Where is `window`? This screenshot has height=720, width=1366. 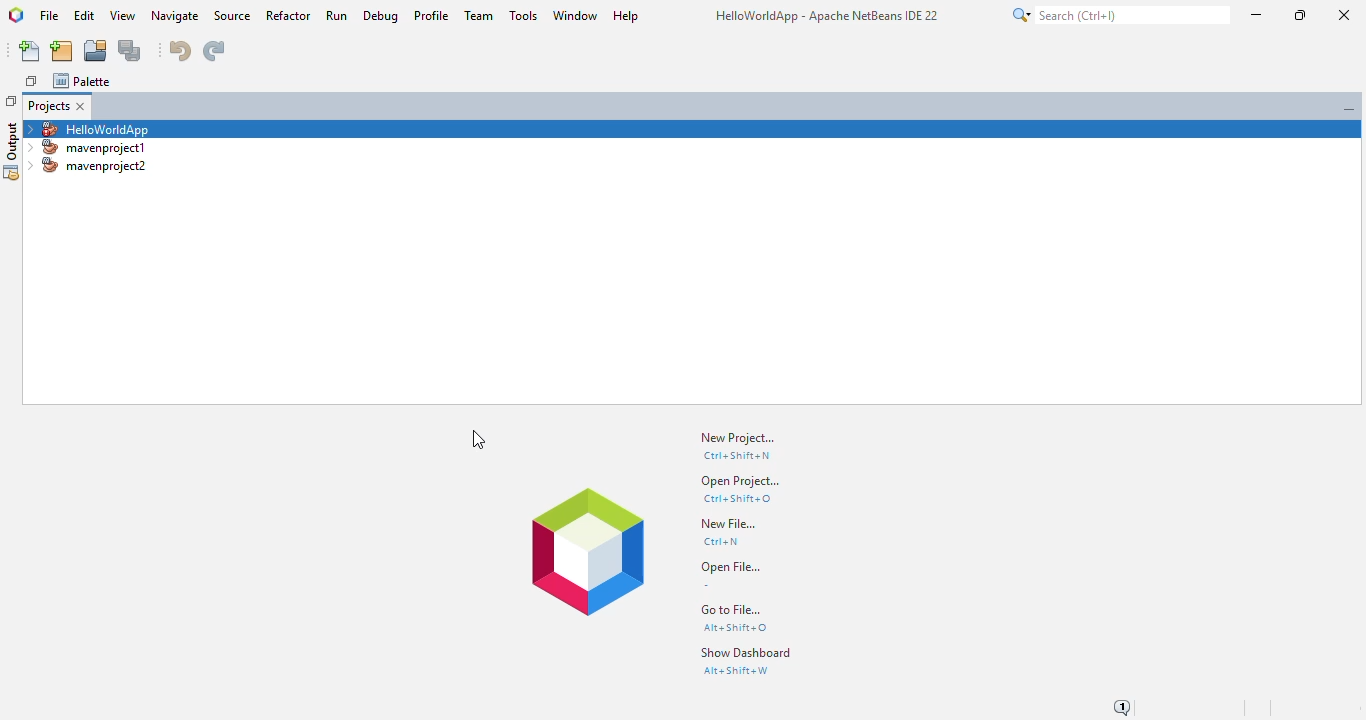 window is located at coordinates (575, 16).